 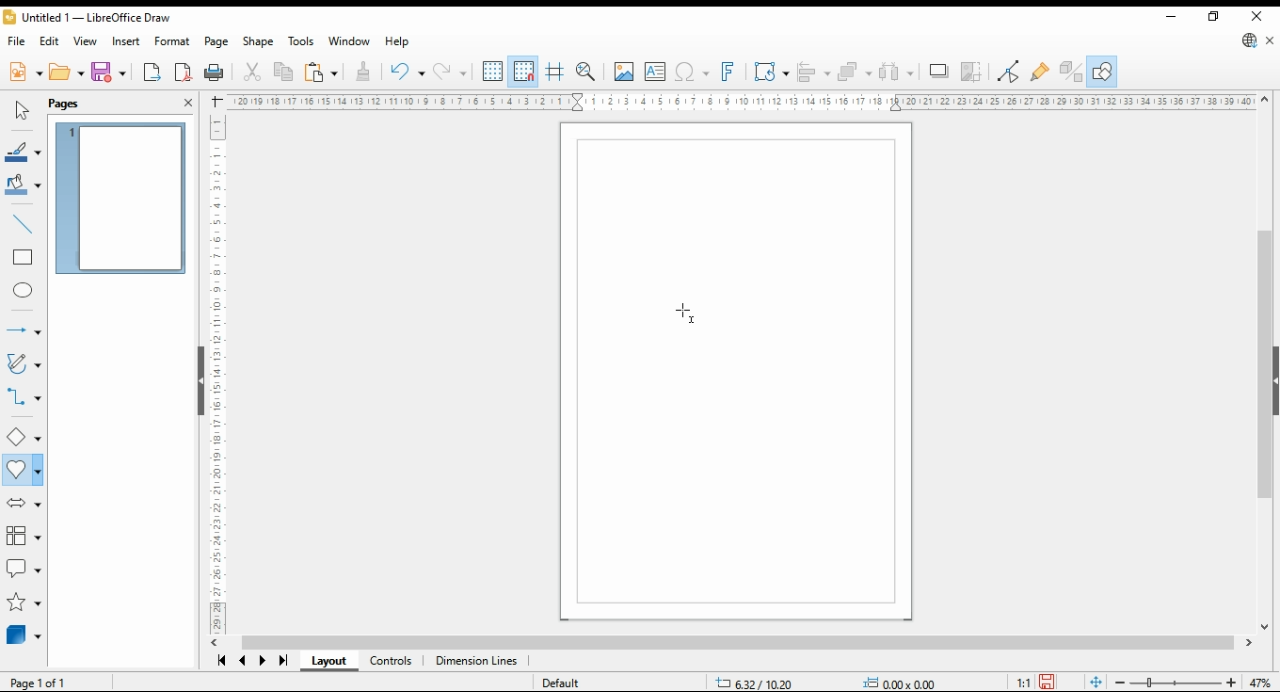 I want to click on insert, so click(x=126, y=42).